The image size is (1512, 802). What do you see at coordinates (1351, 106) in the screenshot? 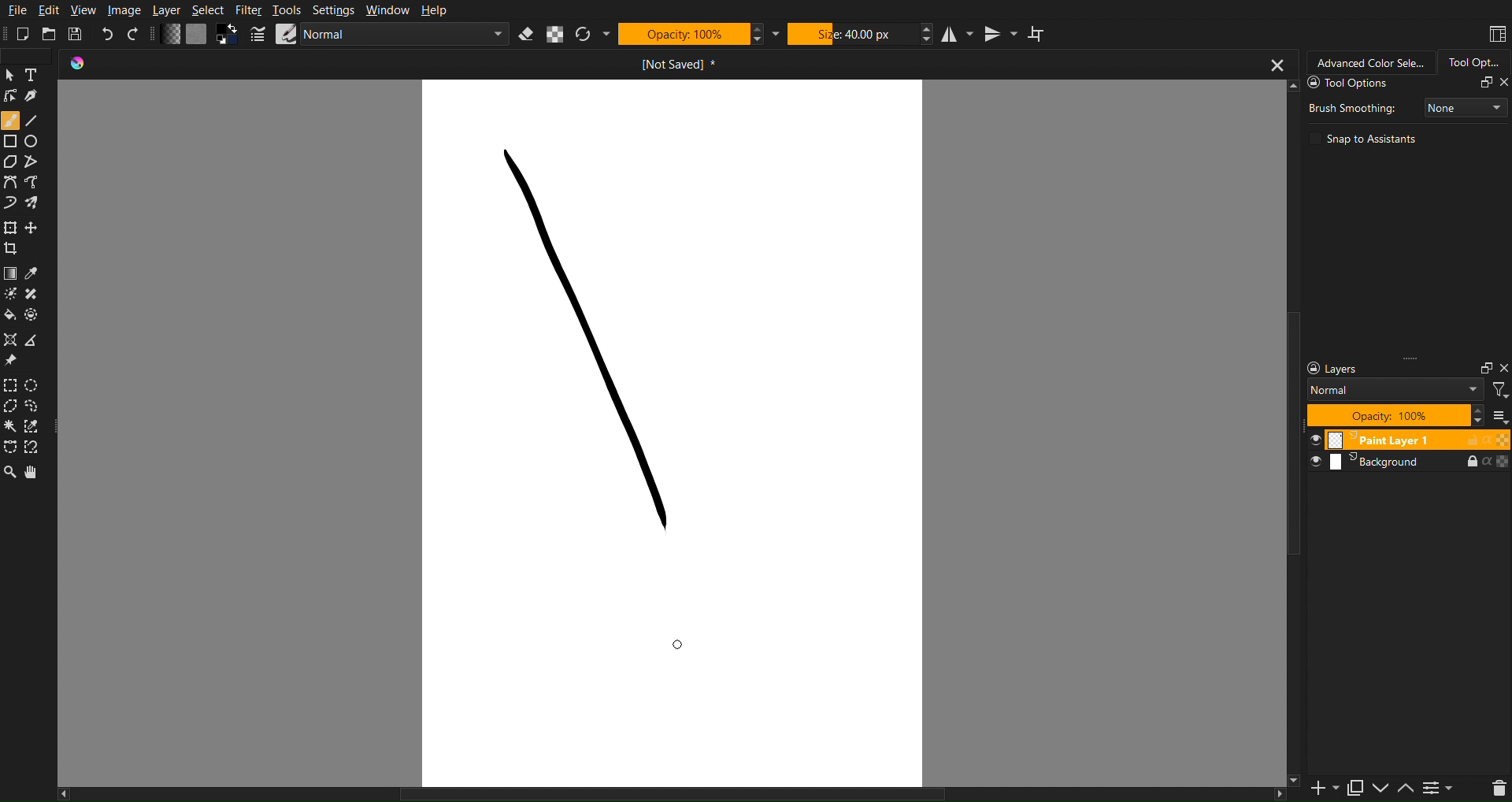
I see `Brush Smoothing` at bounding box center [1351, 106].